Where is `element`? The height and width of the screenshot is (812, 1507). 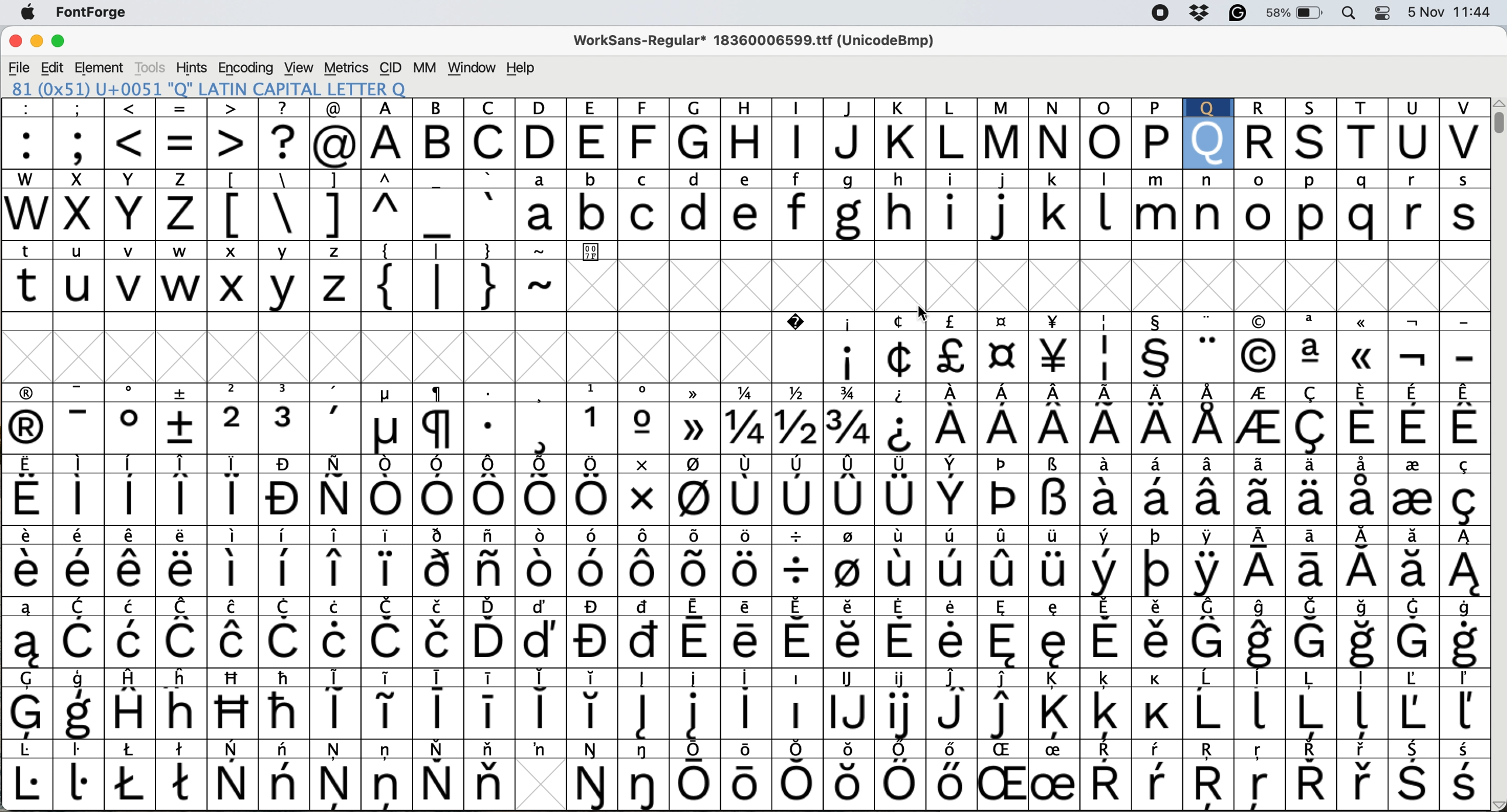 element is located at coordinates (102, 68).